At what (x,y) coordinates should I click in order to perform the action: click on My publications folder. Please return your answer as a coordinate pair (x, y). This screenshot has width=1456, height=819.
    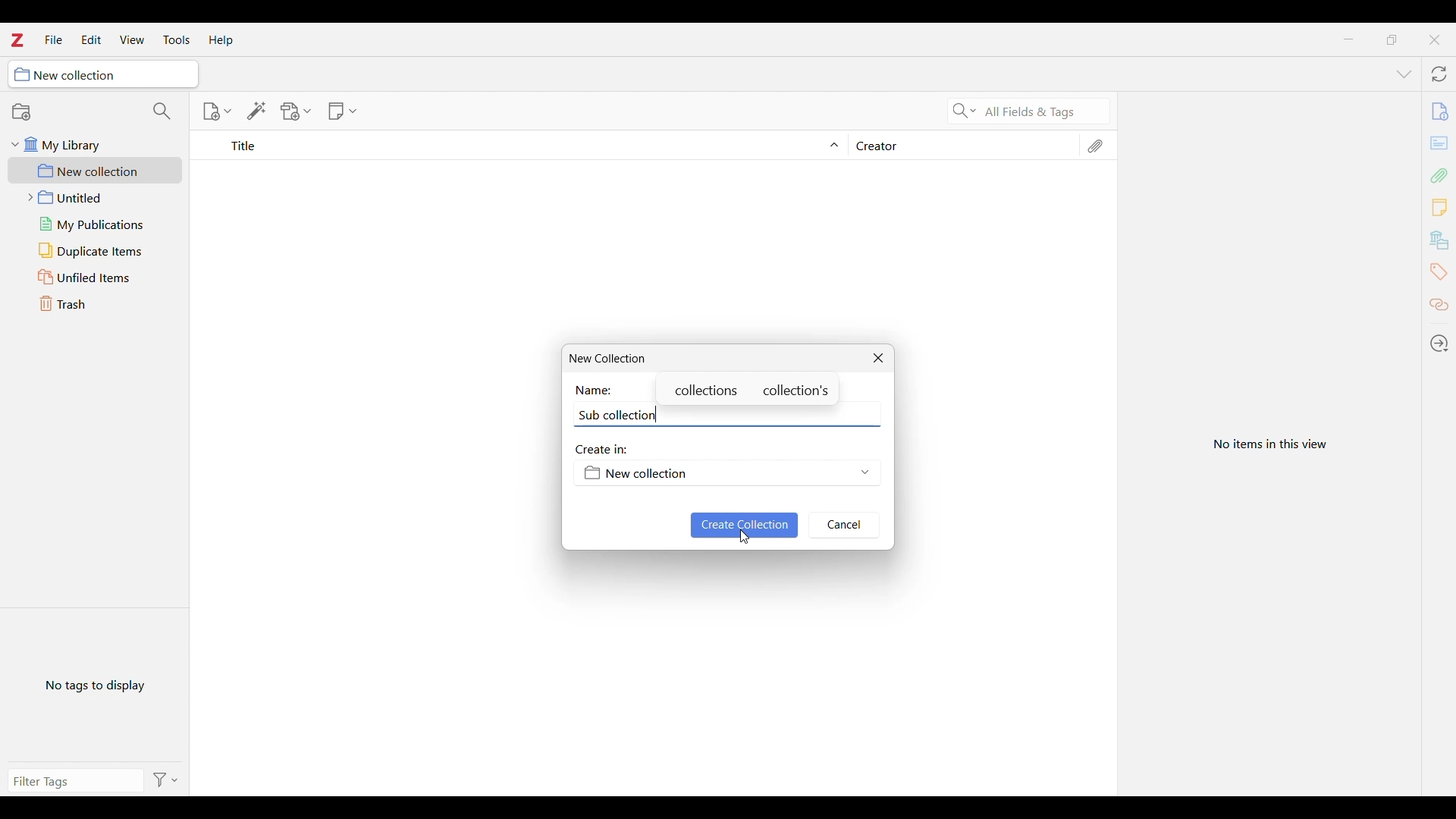
    Looking at the image, I should click on (97, 224).